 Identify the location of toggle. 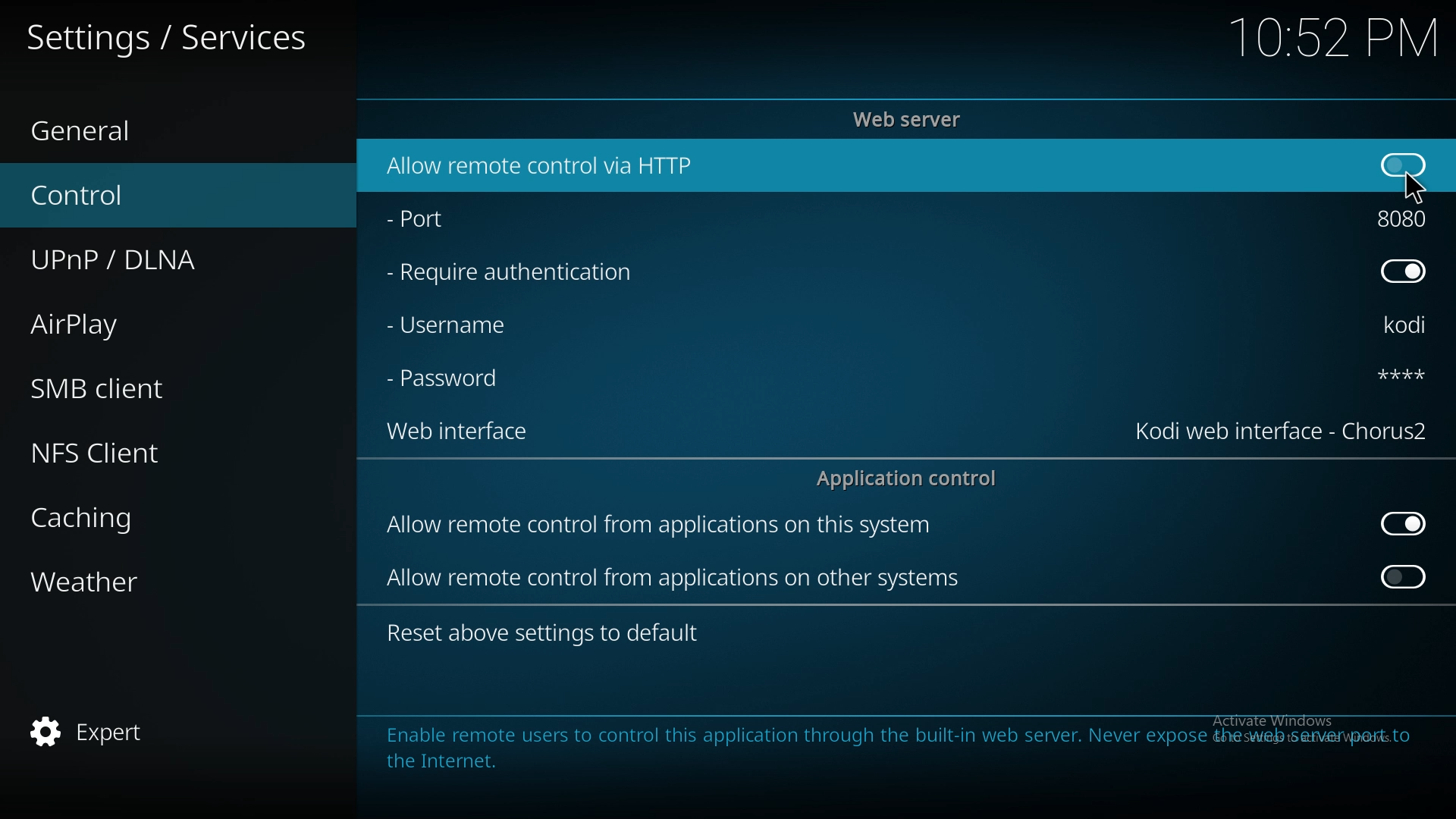
(1406, 576).